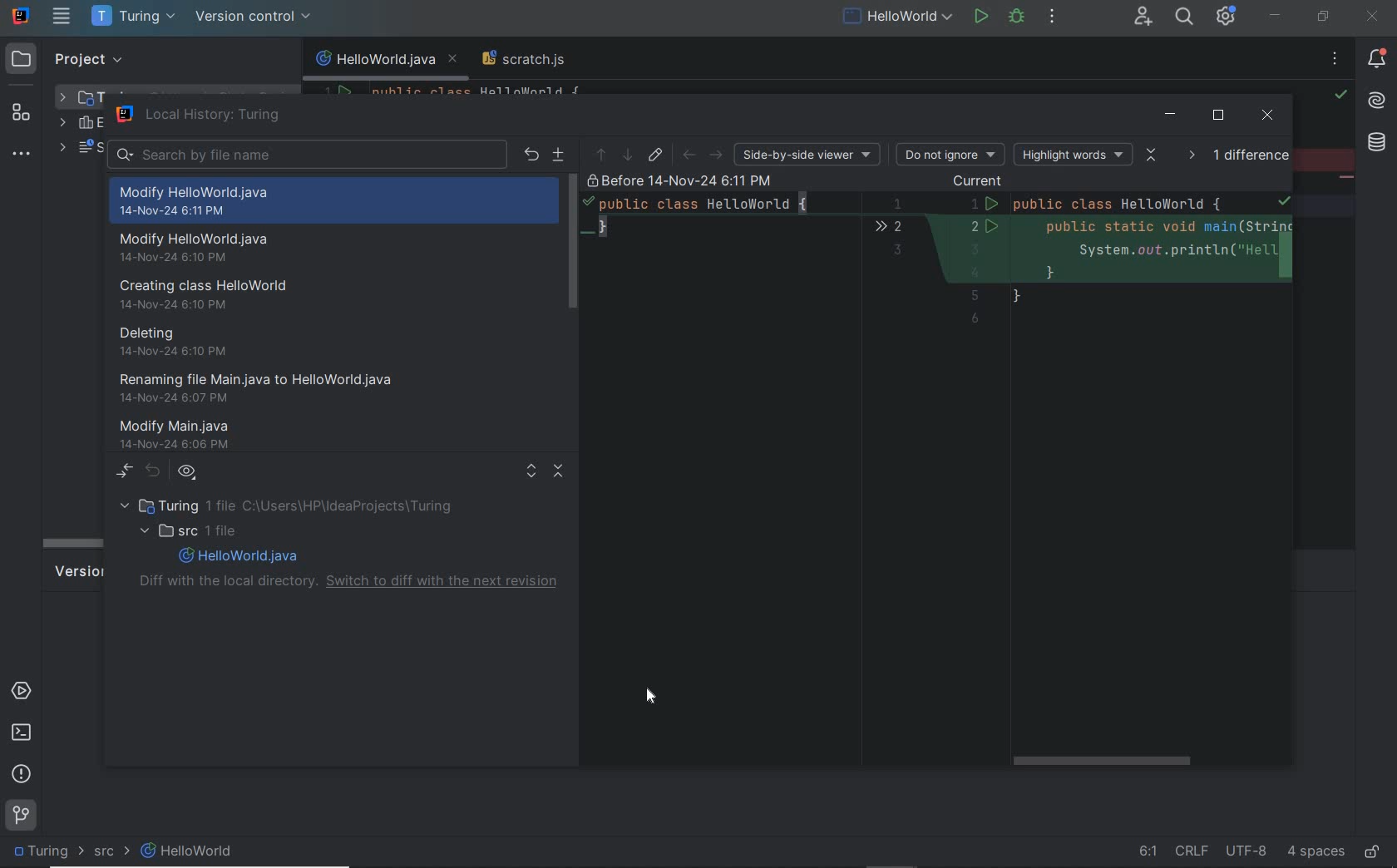 The width and height of the screenshot is (1397, 868). I want to click on search, so click(306, 154).